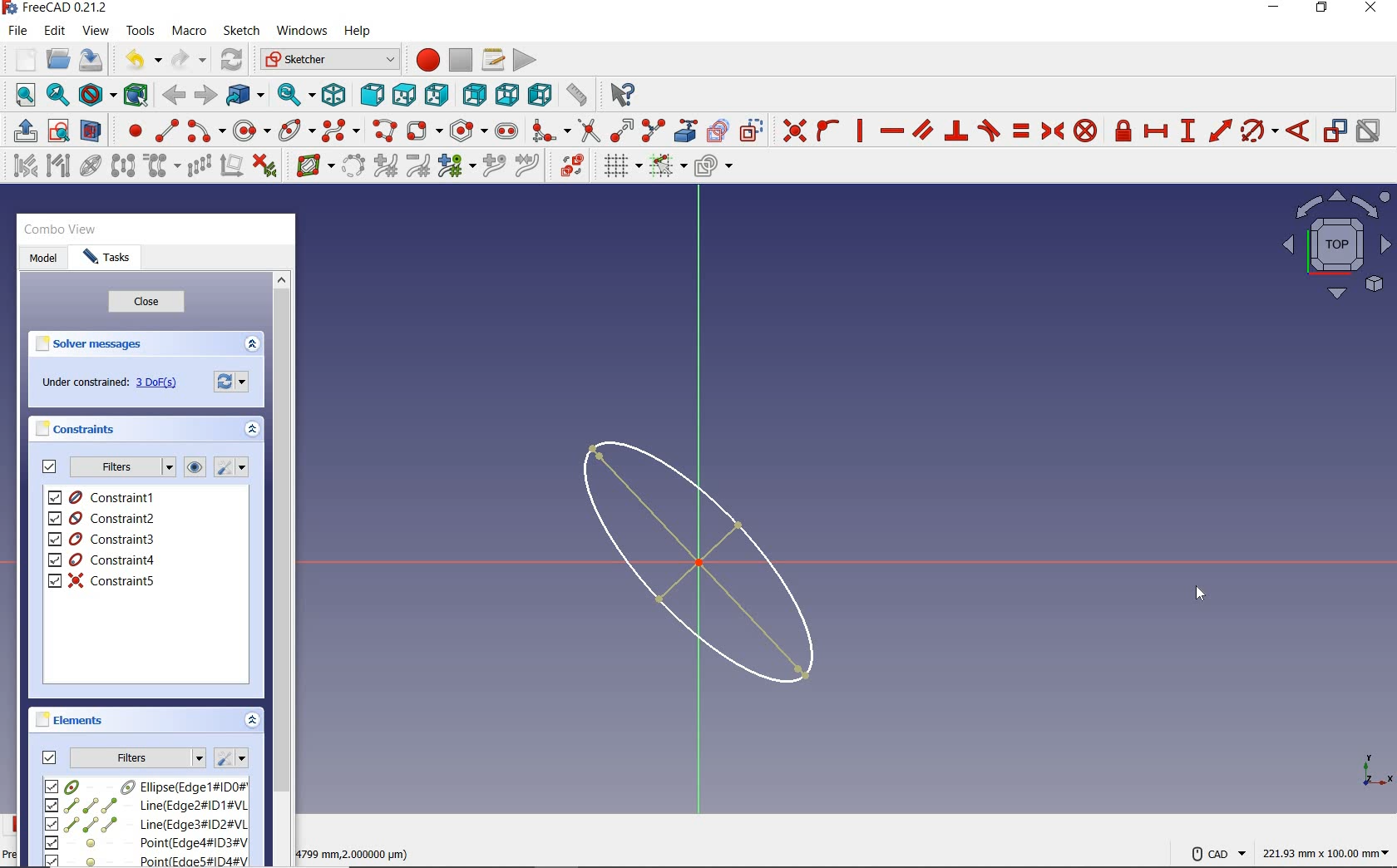  What do you see at coordinates (403, 91) in the screenshot?
I see `top` at bounding box center [403, 91].